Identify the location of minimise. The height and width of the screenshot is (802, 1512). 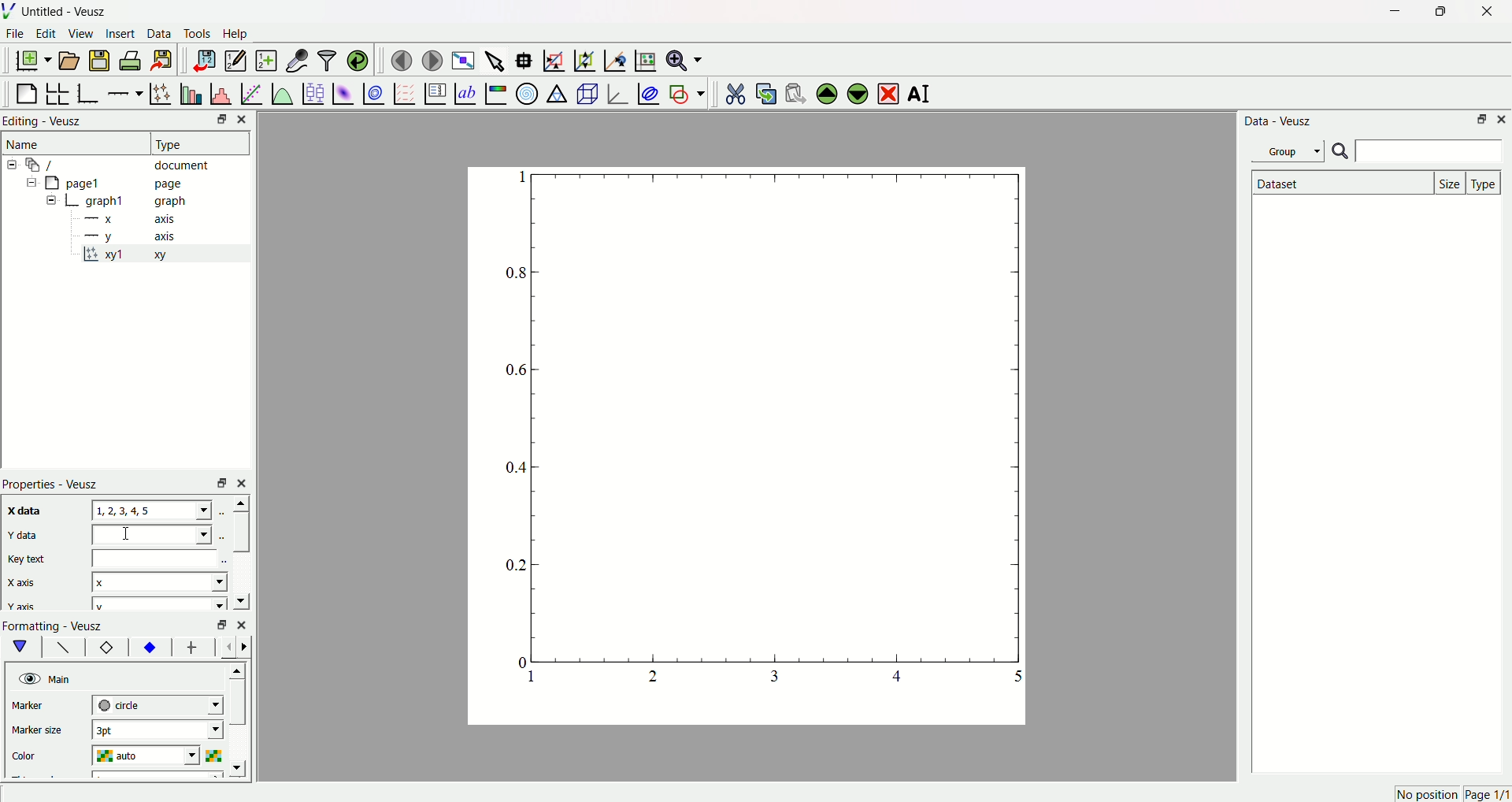
(217, 482).